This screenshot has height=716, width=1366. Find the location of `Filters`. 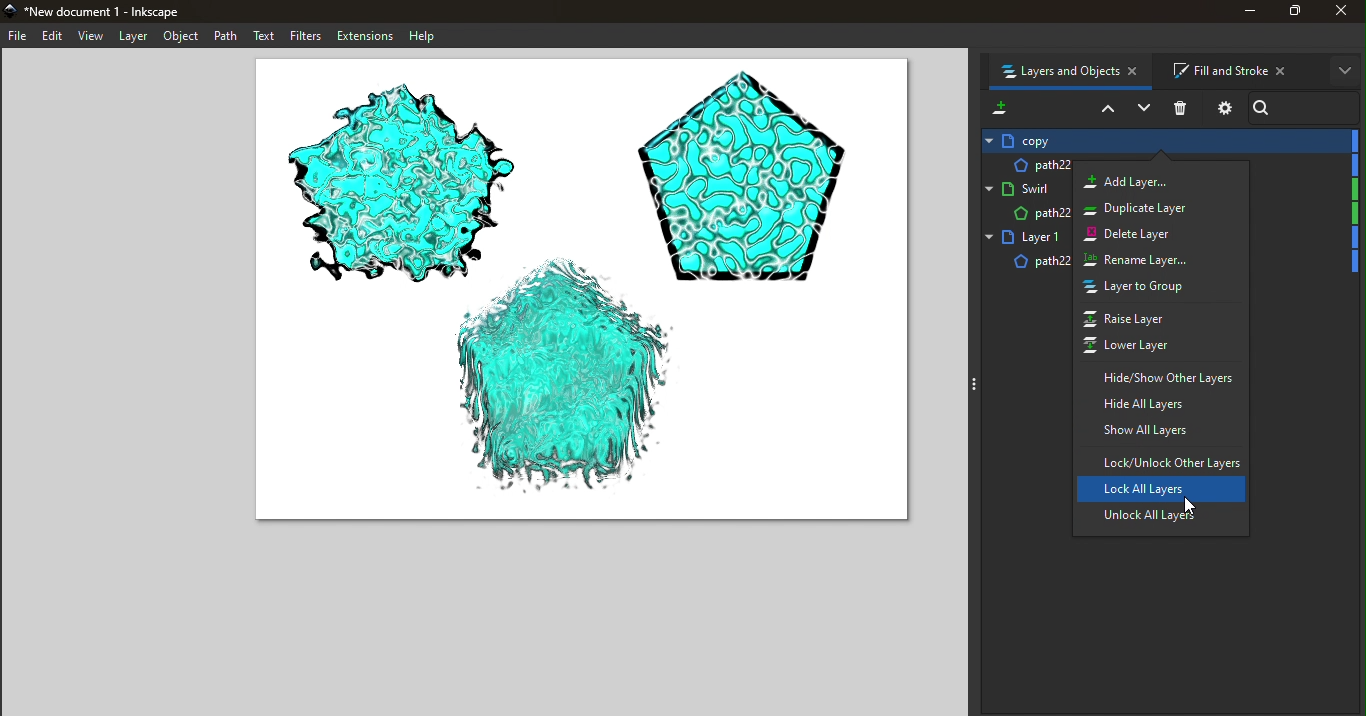

Filters is located at coordinates (302, 36).